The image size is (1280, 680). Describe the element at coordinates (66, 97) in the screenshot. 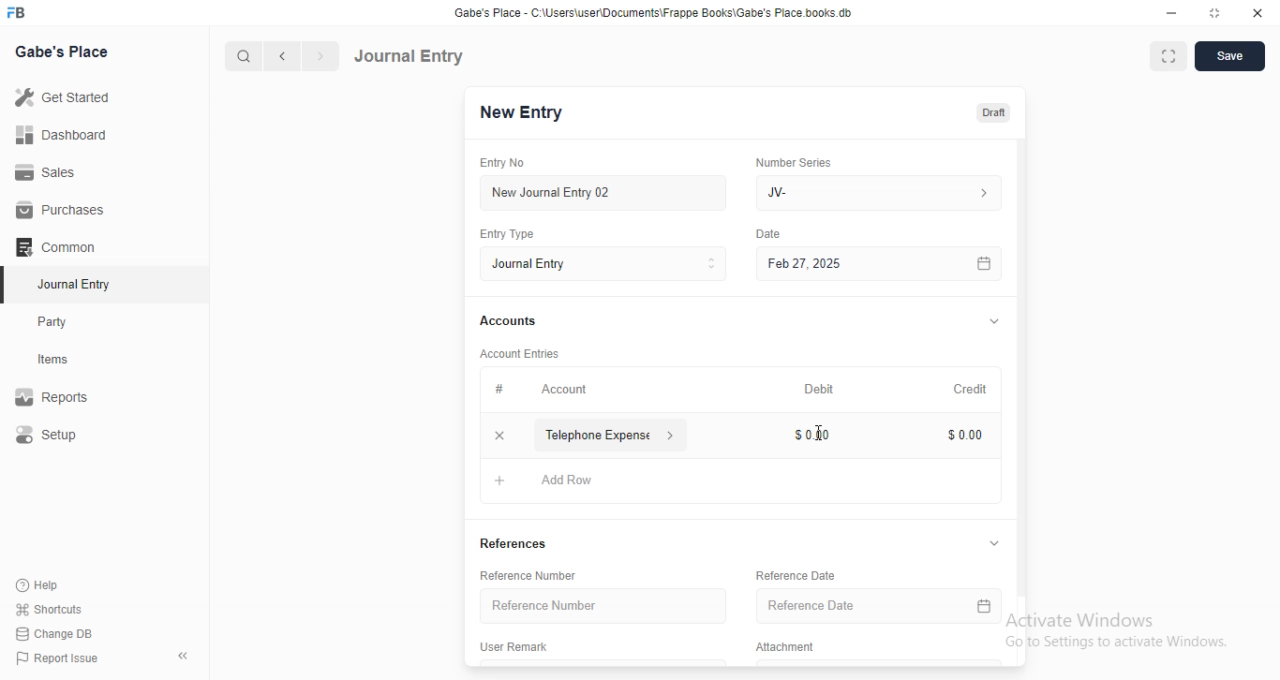

I see `Get Started` at that location.